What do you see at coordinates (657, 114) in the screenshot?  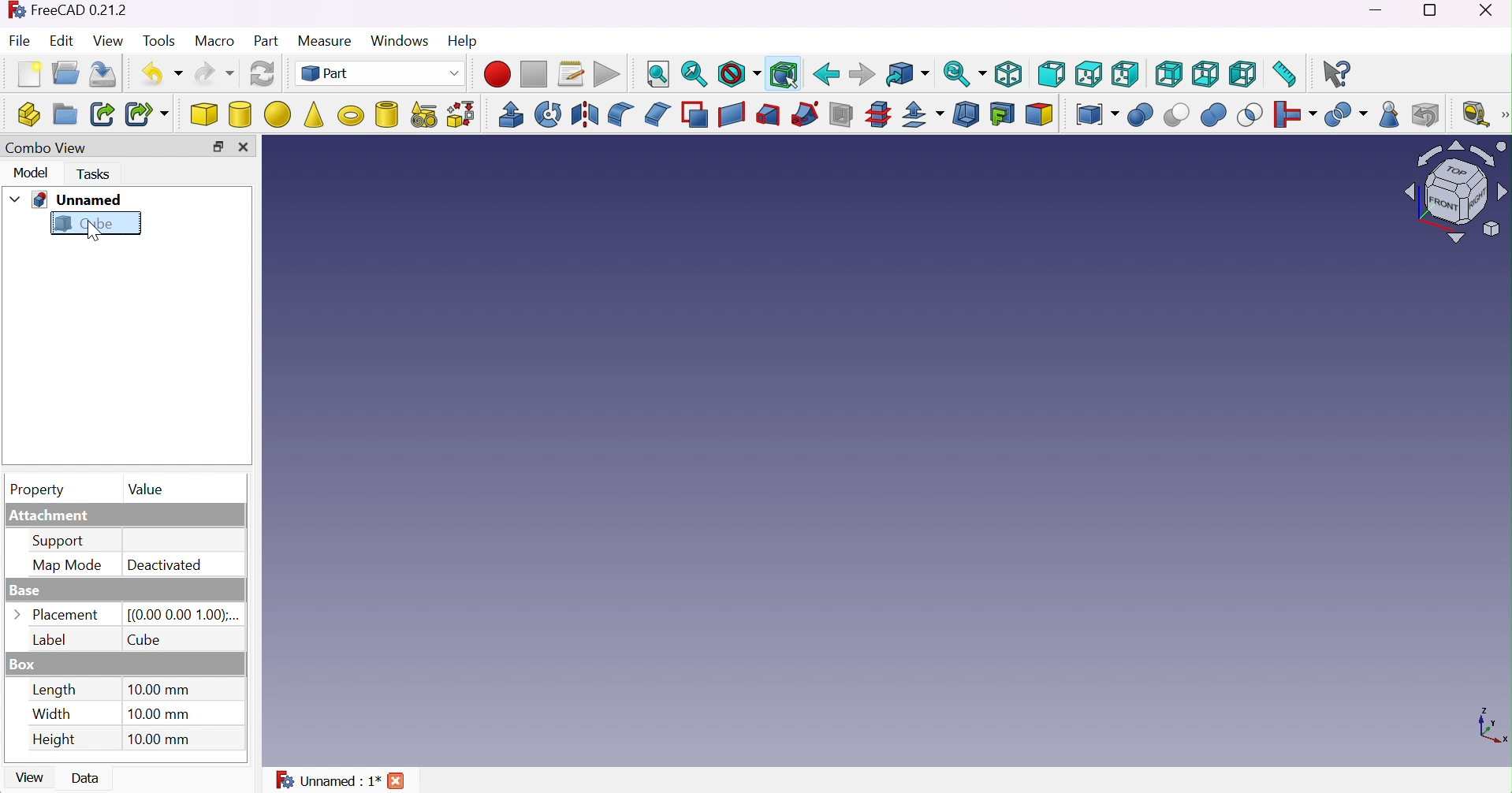 I see `Chamfer` at bounding box center [657, 114].